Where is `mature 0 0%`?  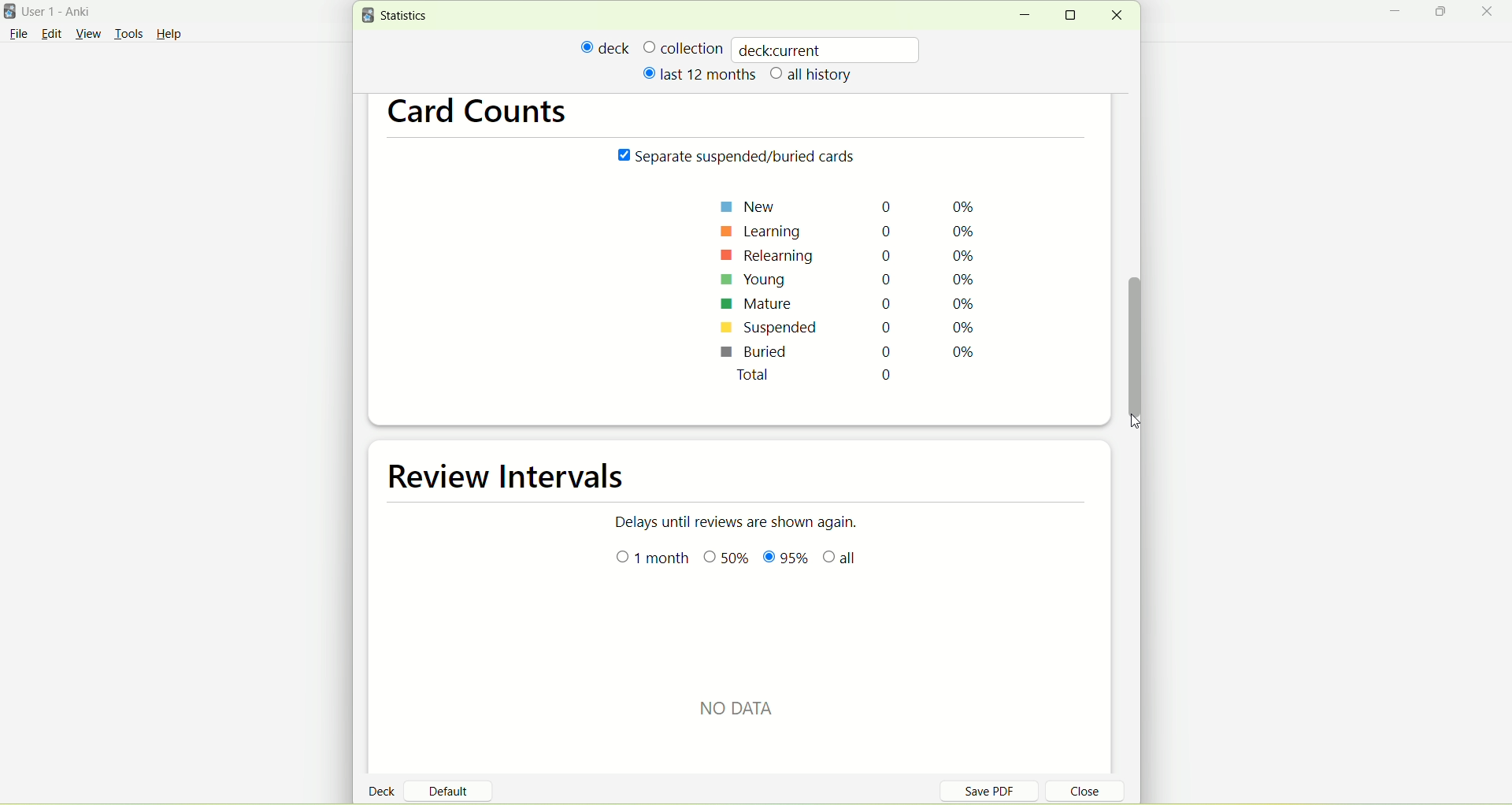
mature 0 0% is located at coordinates (850, 306).